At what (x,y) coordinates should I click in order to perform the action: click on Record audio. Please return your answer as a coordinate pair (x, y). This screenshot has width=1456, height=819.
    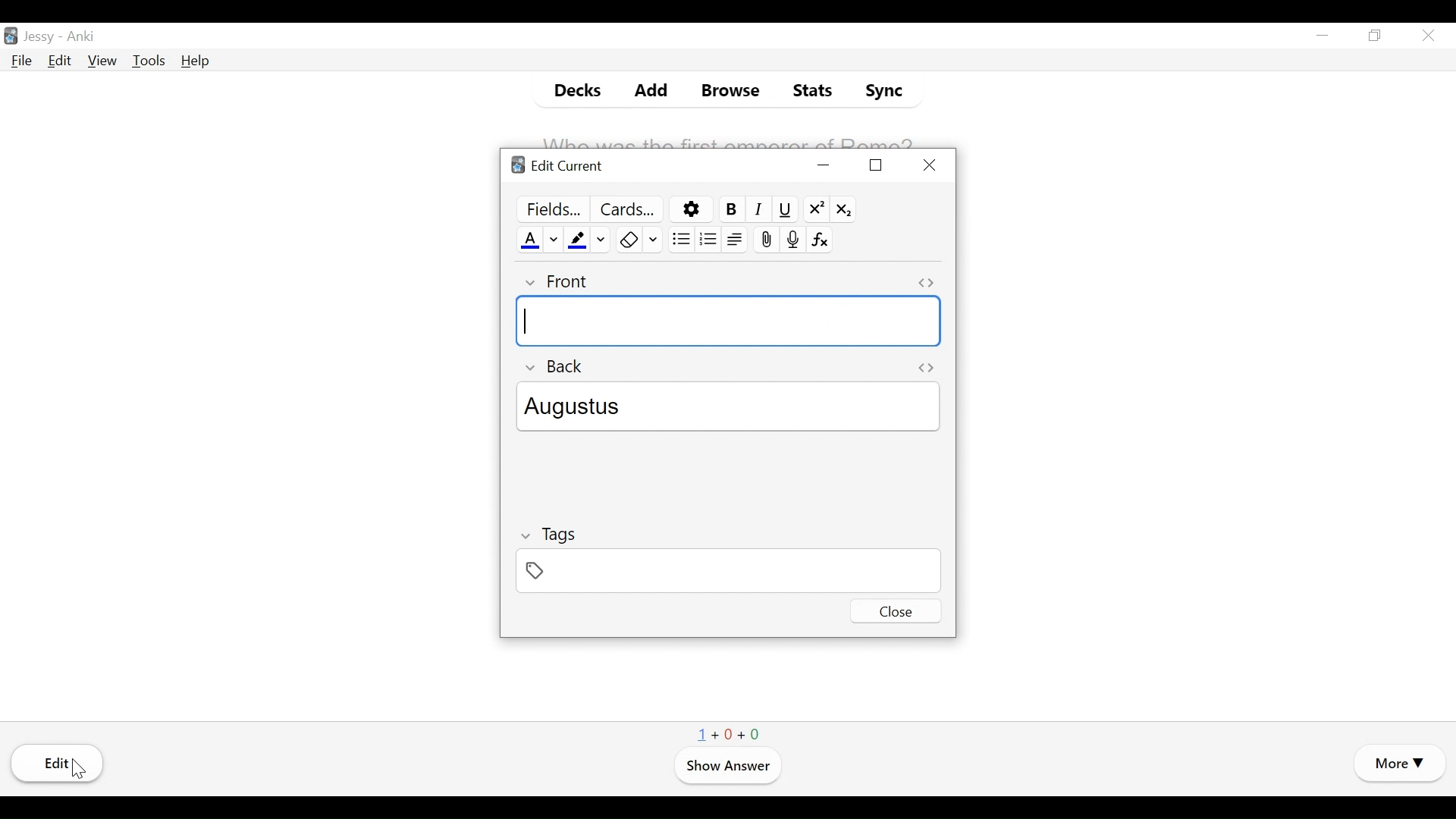
    Looking at the image, I should click on (791, 240).